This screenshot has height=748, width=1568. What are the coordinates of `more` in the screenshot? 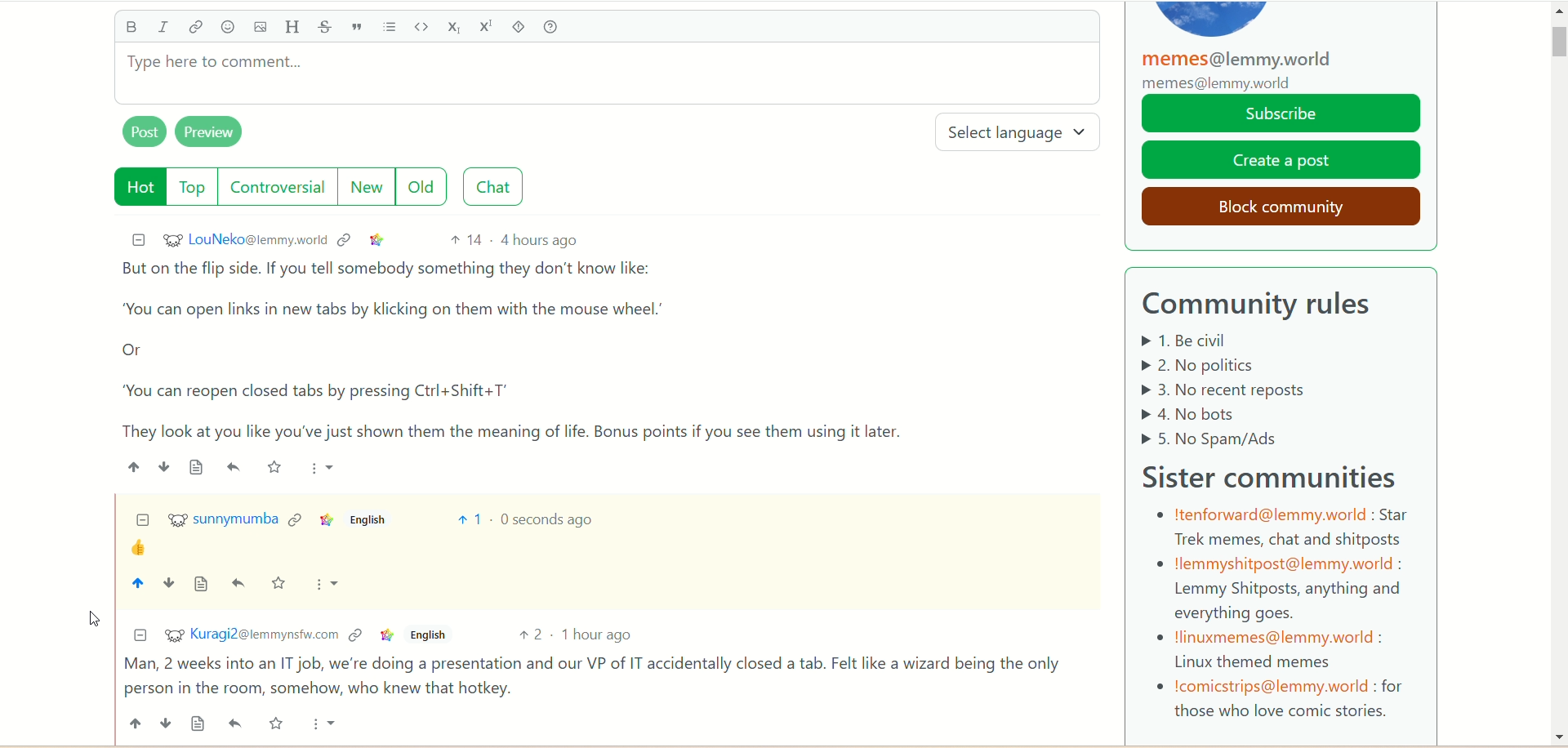 It's located at (327, 585).